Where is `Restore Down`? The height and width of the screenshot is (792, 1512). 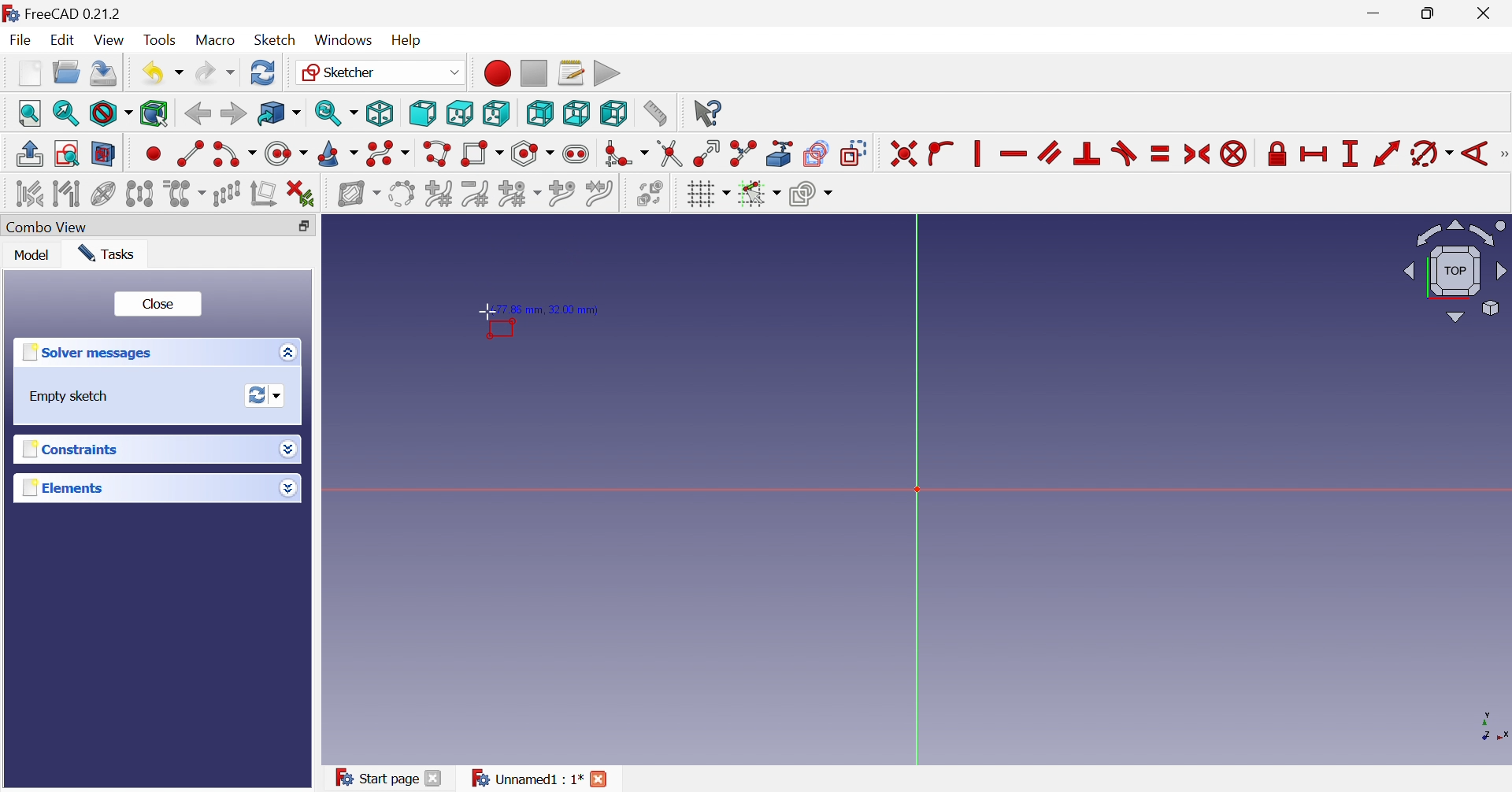
Restore Down is located at coordinates (1432, 15).